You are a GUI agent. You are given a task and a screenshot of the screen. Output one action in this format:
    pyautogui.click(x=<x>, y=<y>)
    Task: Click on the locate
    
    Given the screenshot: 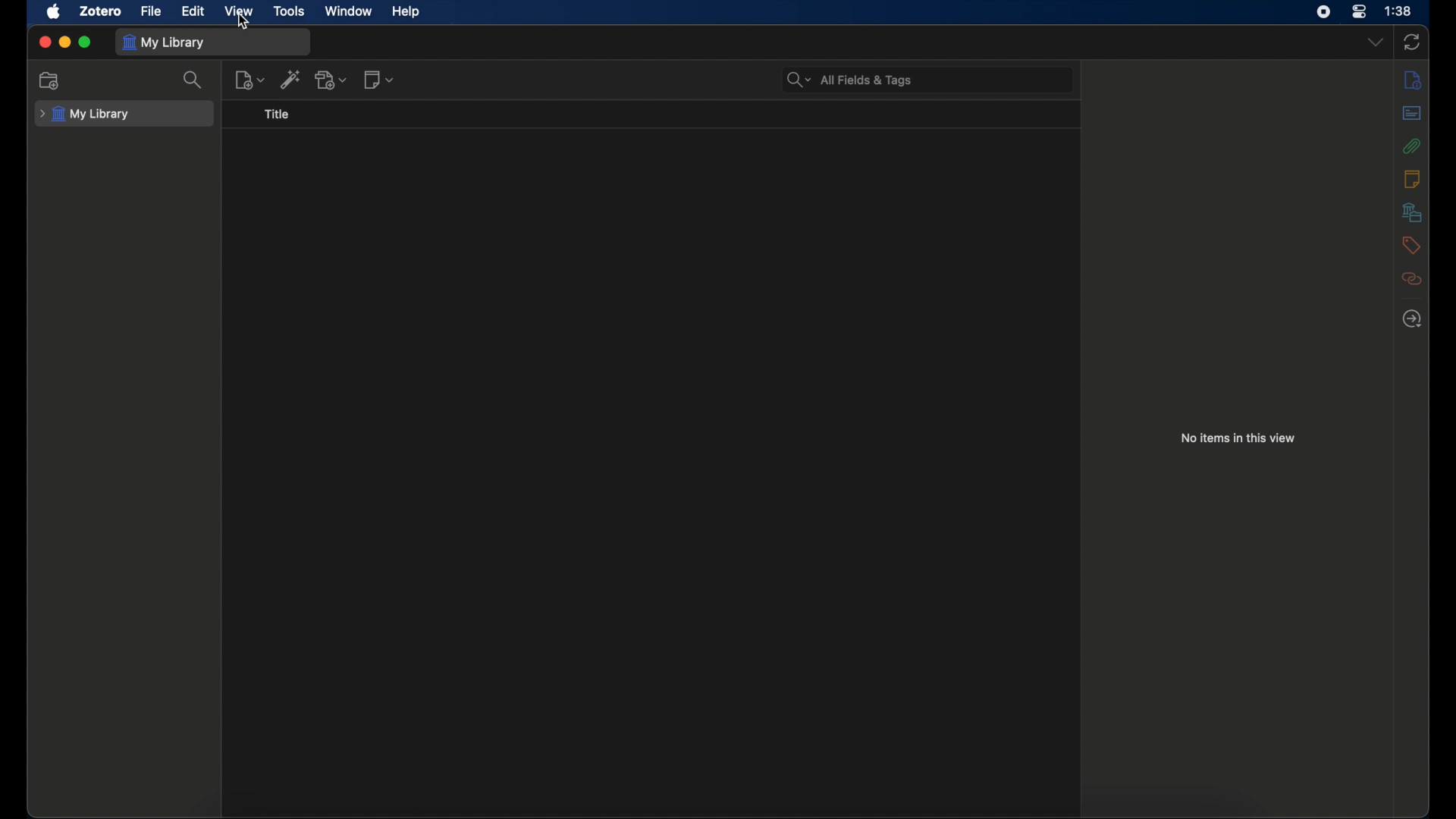 What is the action you would take?
    pyautogui.click(x=1412, y=319)
    